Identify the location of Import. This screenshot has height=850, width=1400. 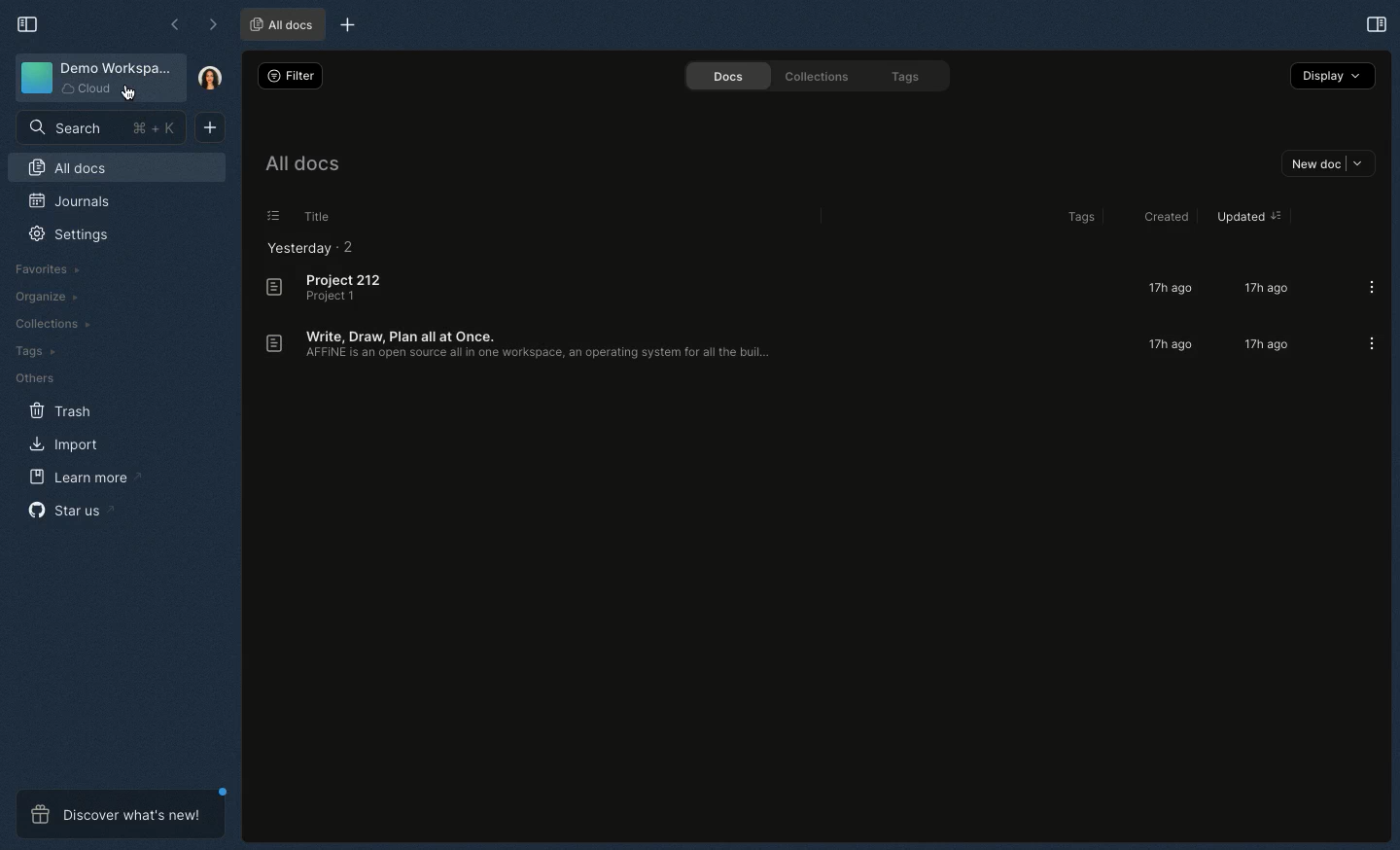
(60, 443).